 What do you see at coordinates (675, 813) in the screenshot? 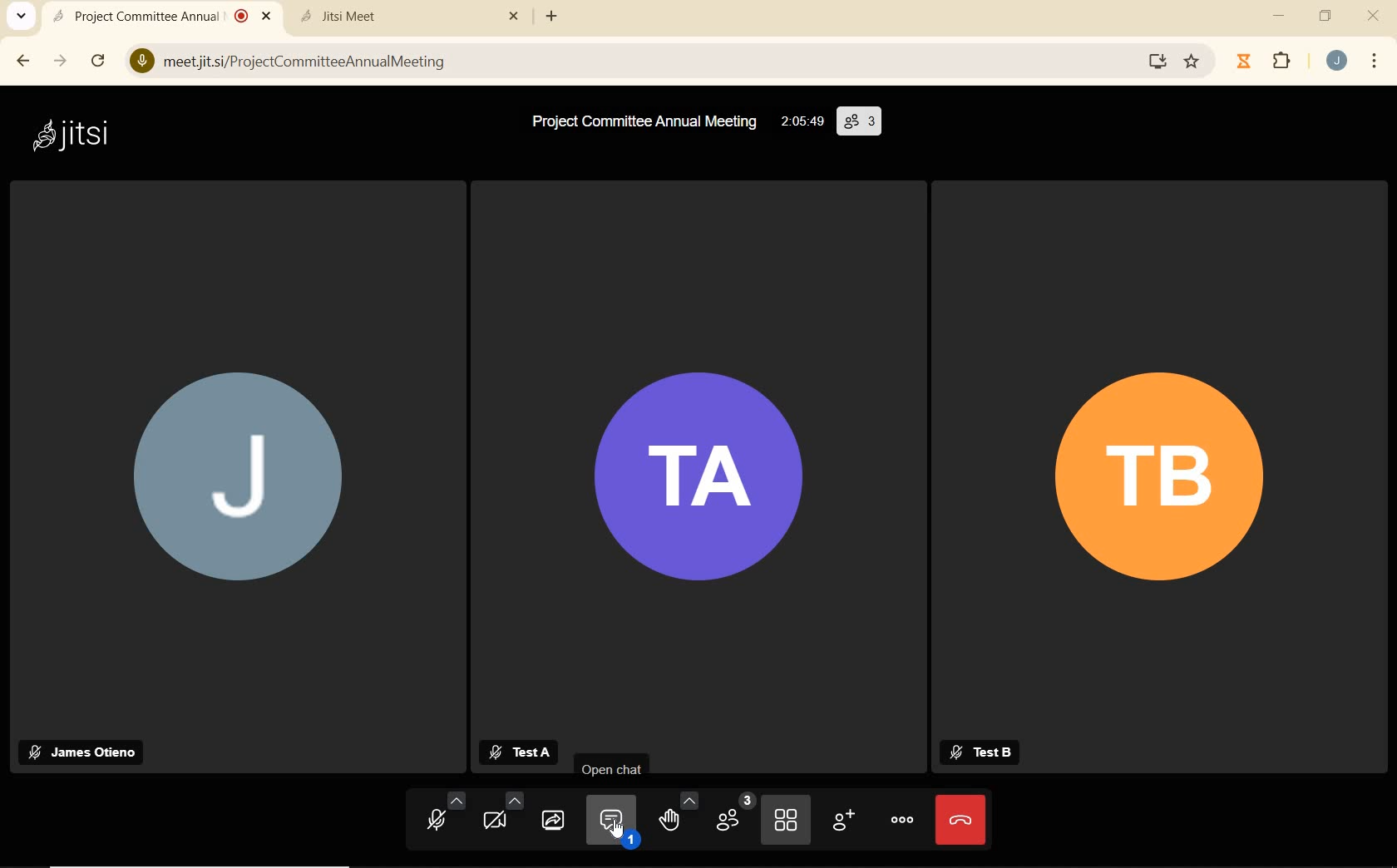
I see `raise hand` at bounding box center [675, 813].